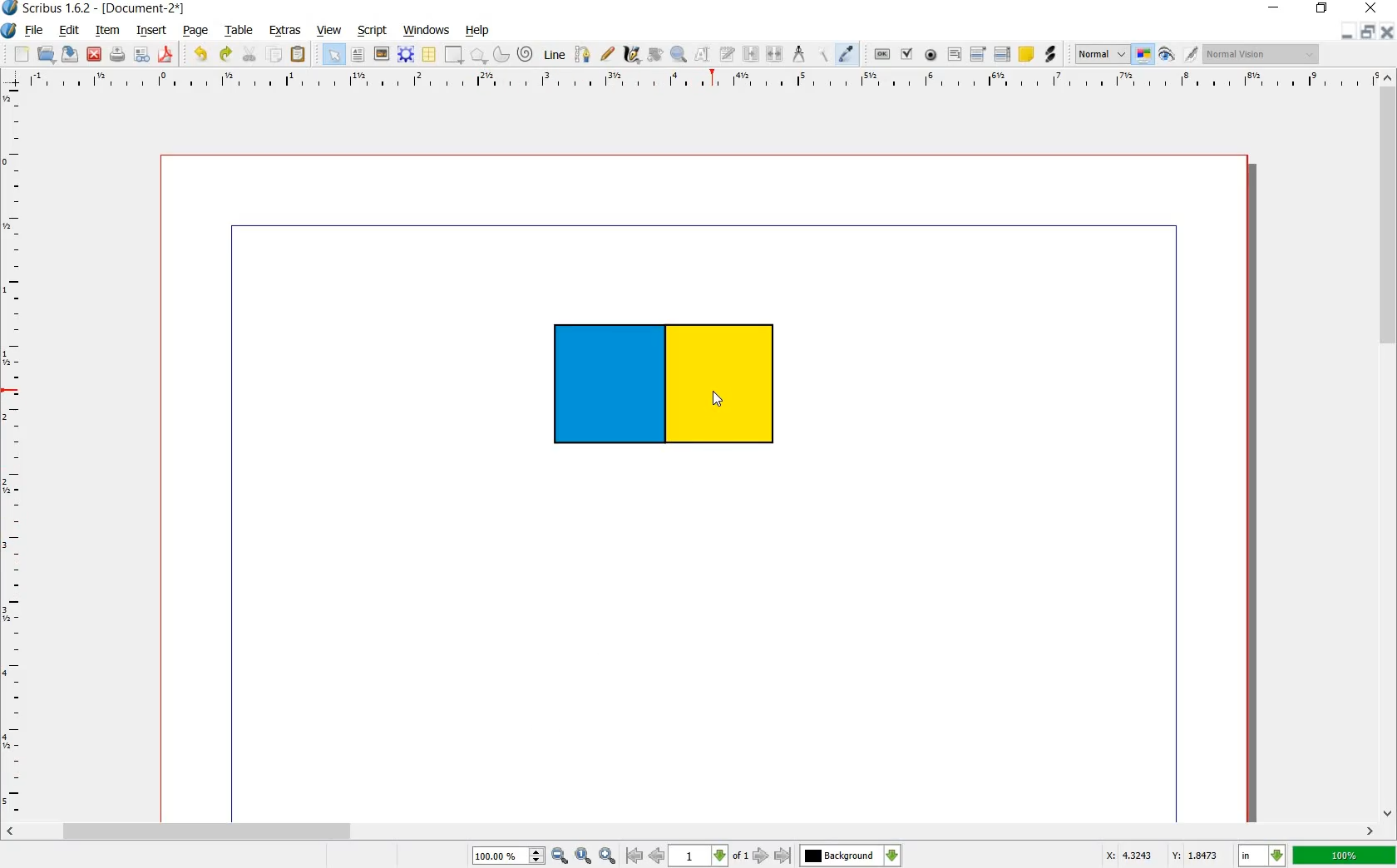 The image size is (1397, 868). I want to click on unlink text frames, so click(776, 52).